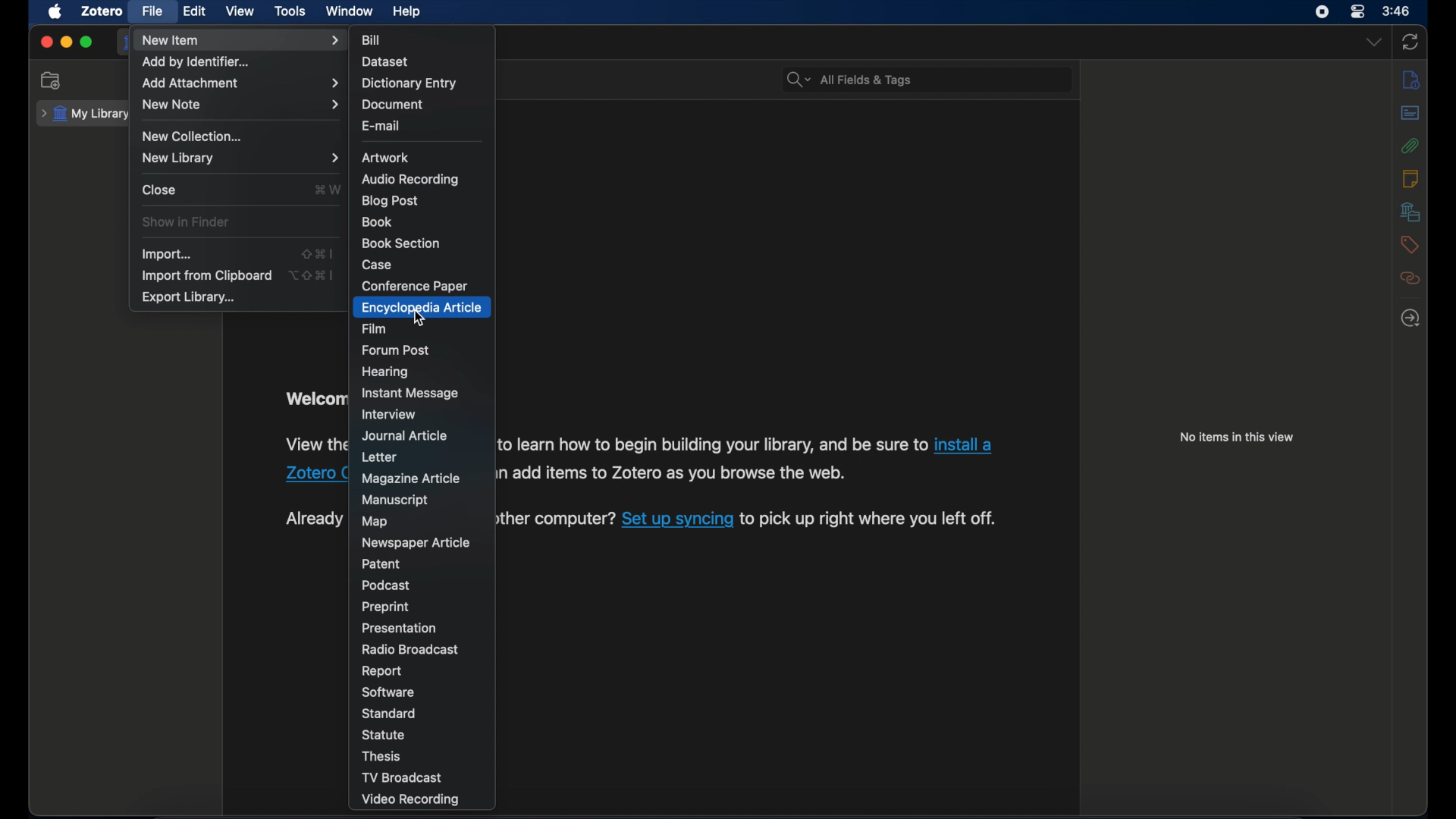  Describe the element at coordinates (375, 522) in the screenshot. I see `map` at that location.